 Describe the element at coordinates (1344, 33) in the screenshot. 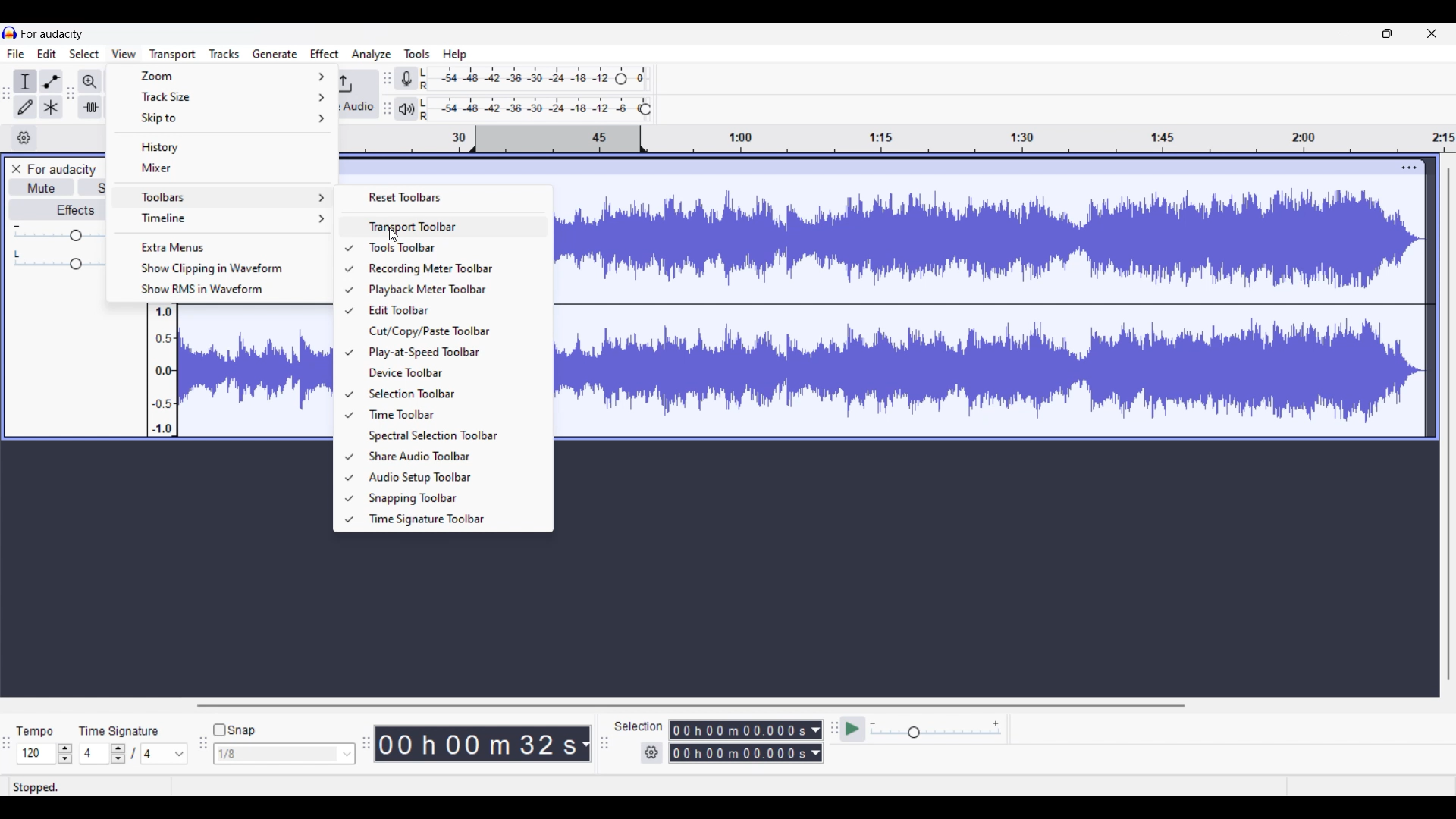

I see `Minimize` at that location.